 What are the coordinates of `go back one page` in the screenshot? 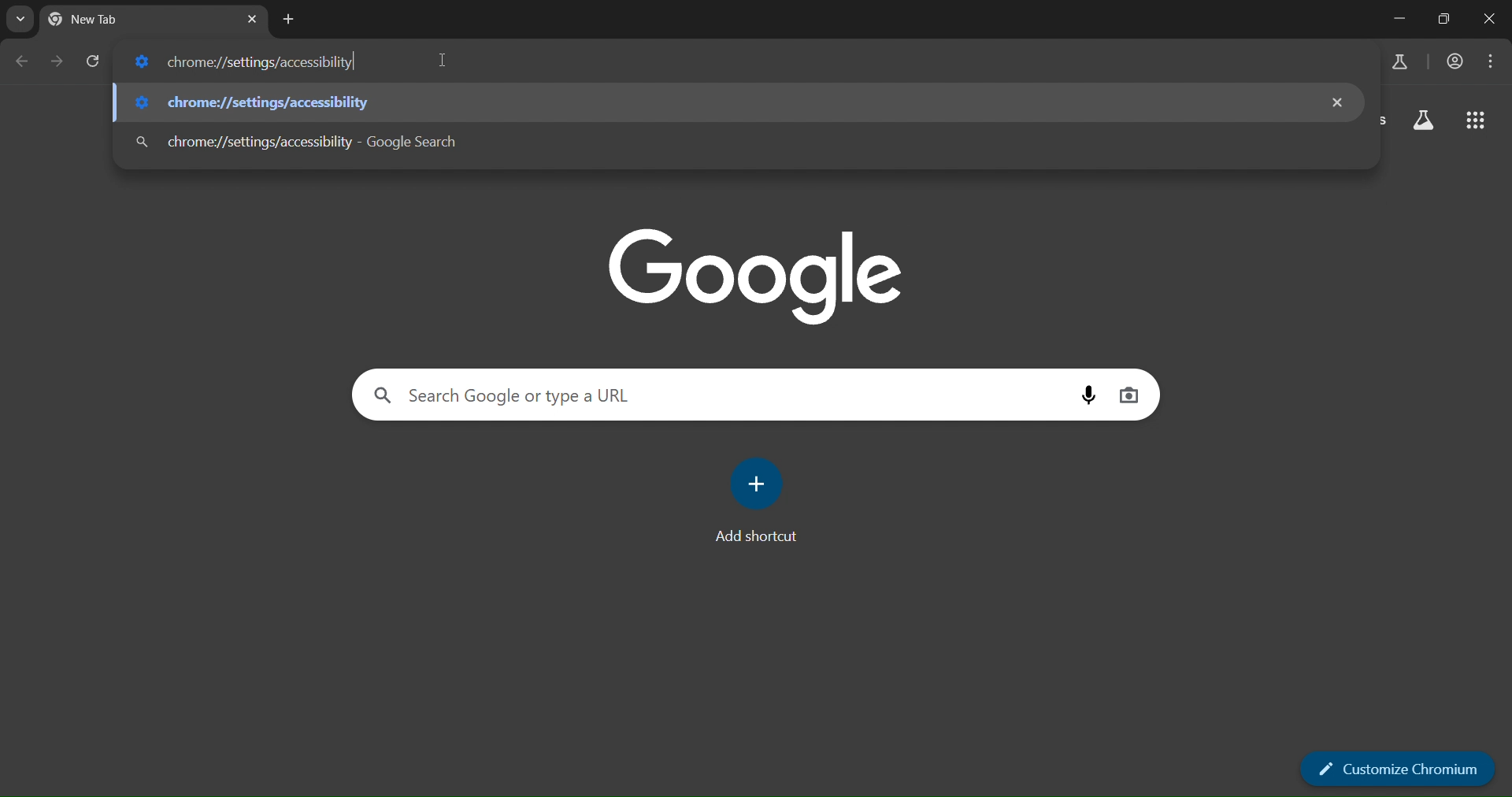 It's located at (20, 61).